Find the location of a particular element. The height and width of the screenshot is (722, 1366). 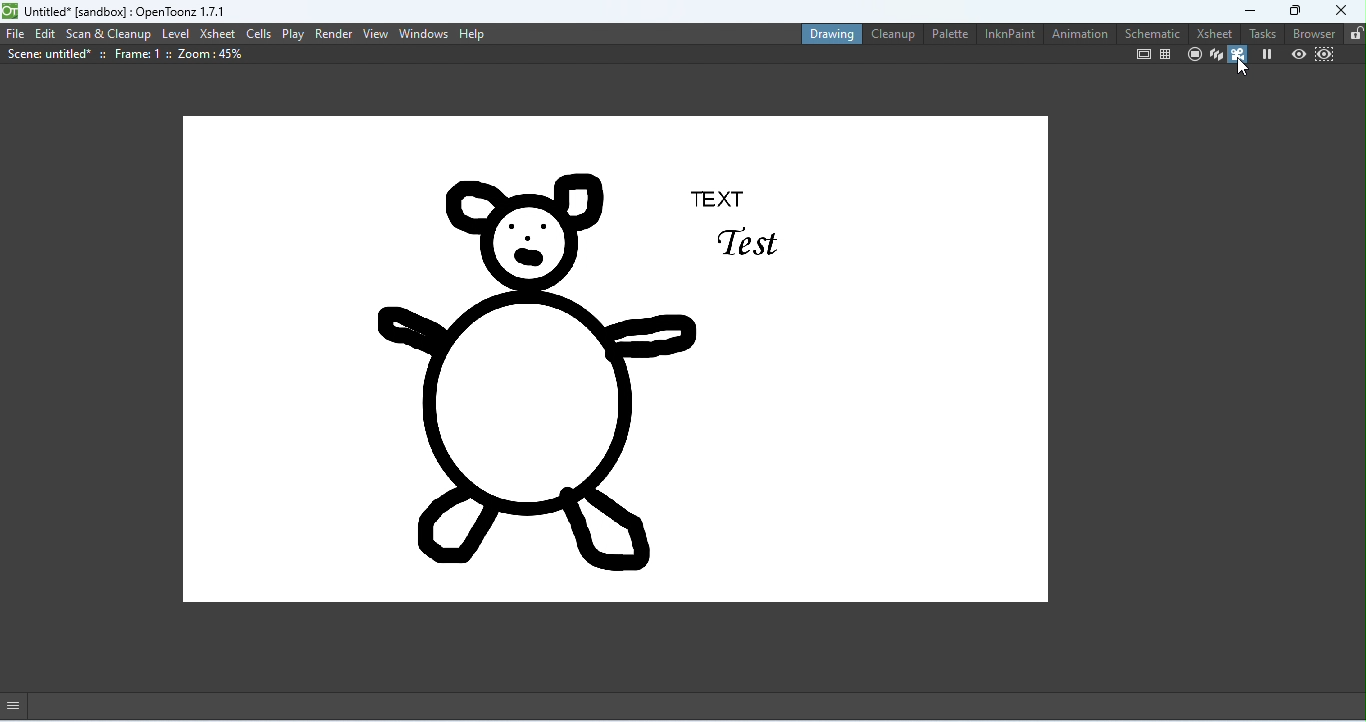

Drawing is located at coordinates (826, 32).